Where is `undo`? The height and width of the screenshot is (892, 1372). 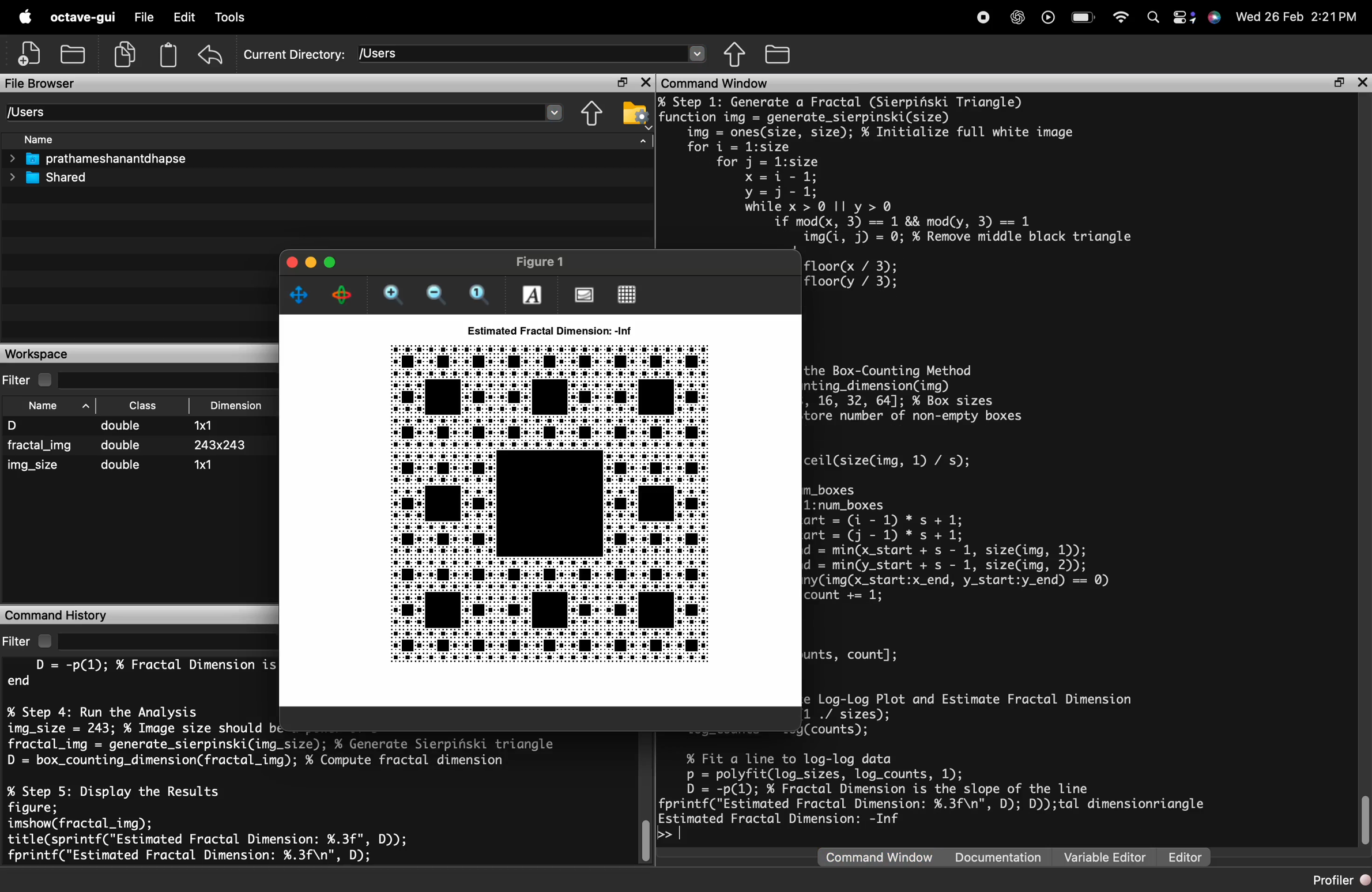
undo is located at coordinates (210, 56).